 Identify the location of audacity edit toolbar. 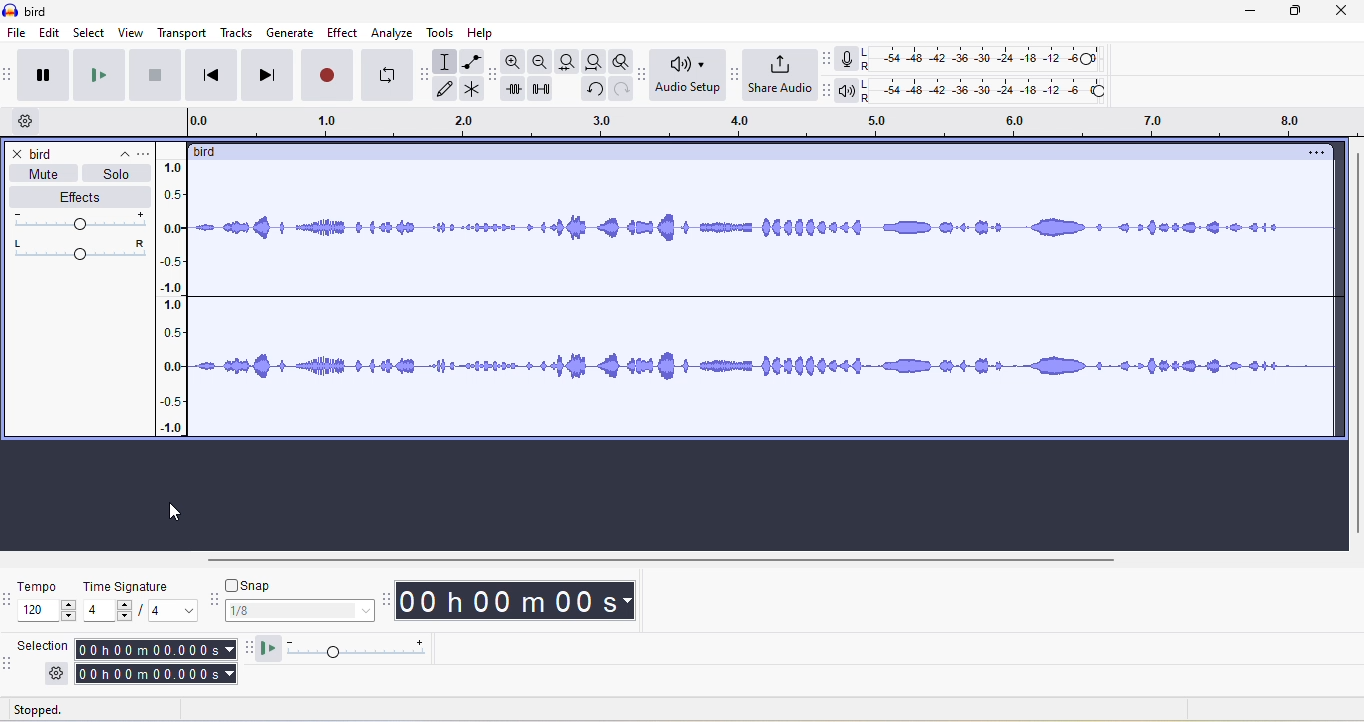
(495, 78).